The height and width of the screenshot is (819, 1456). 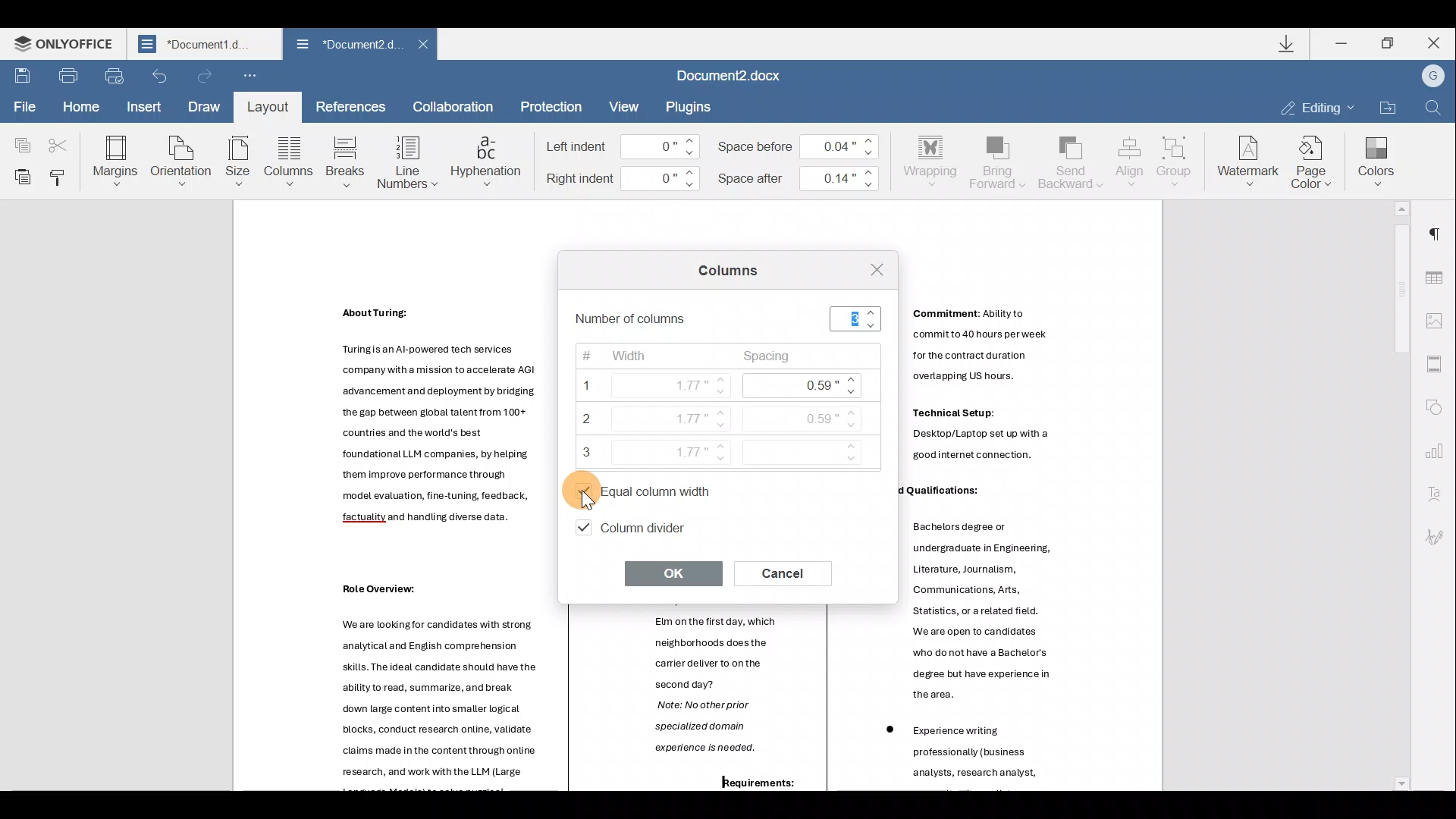 I want to click on Space after, so click(x=801, y=175).